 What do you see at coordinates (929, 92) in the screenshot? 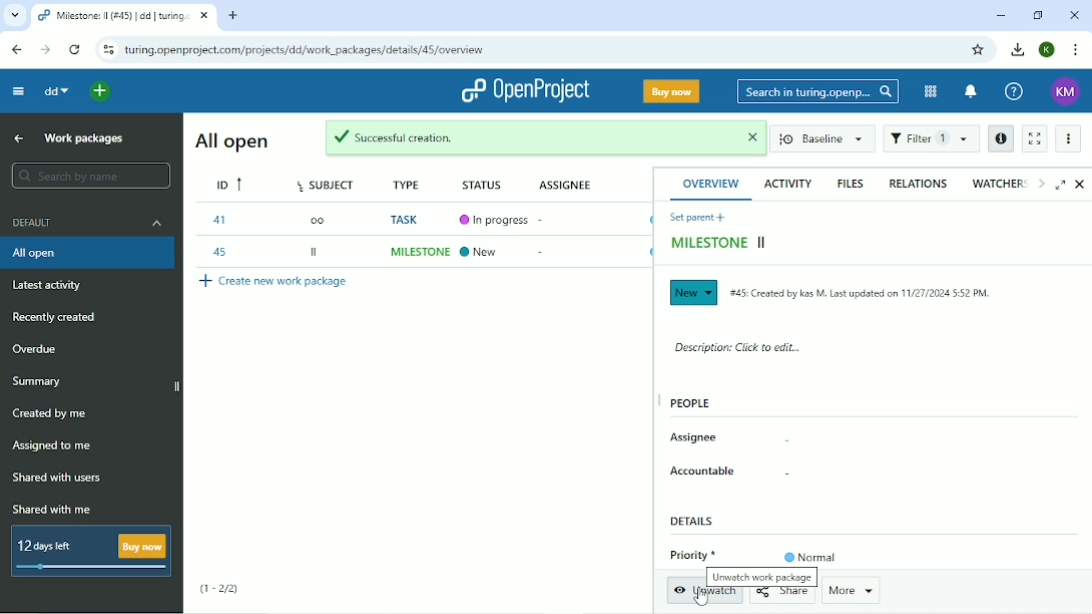
I see `Modules` at bounding box center [929, 92].